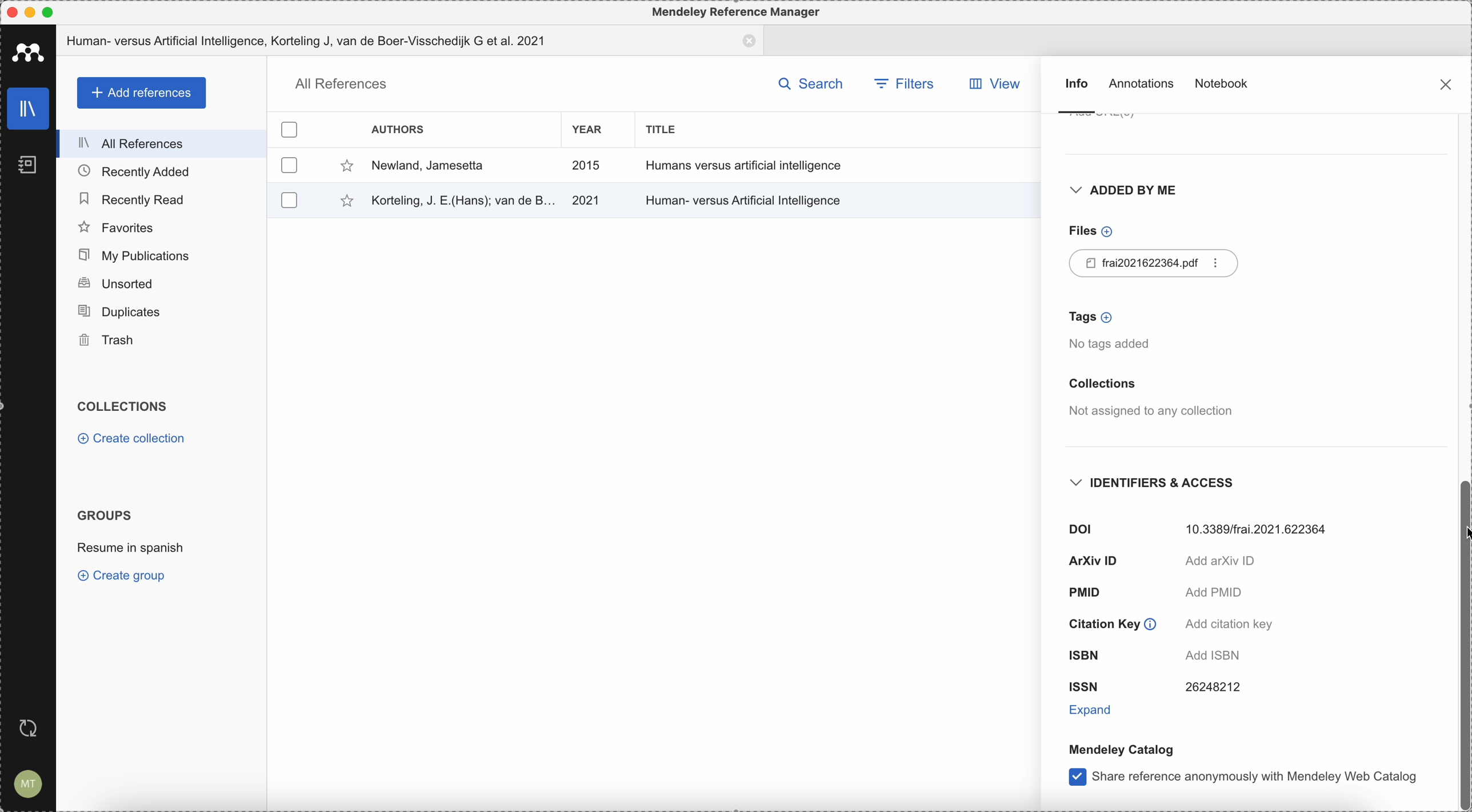  Describe the element at coordinates (1164, 654) in the screenshot. I see `ISBN add ISBN` at that location.